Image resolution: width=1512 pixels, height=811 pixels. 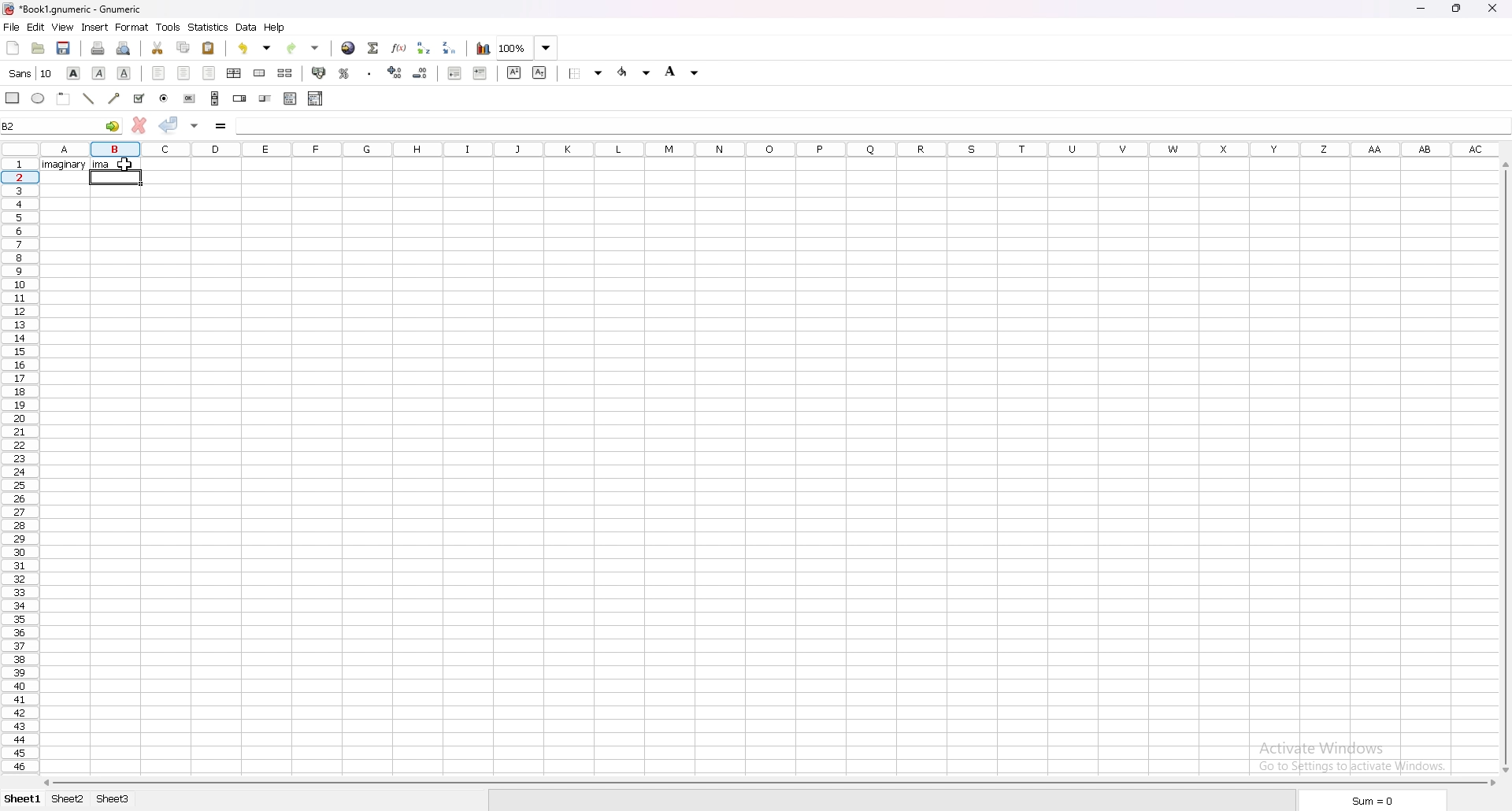 I want to click on merge cells, so click(x=261, y=73).